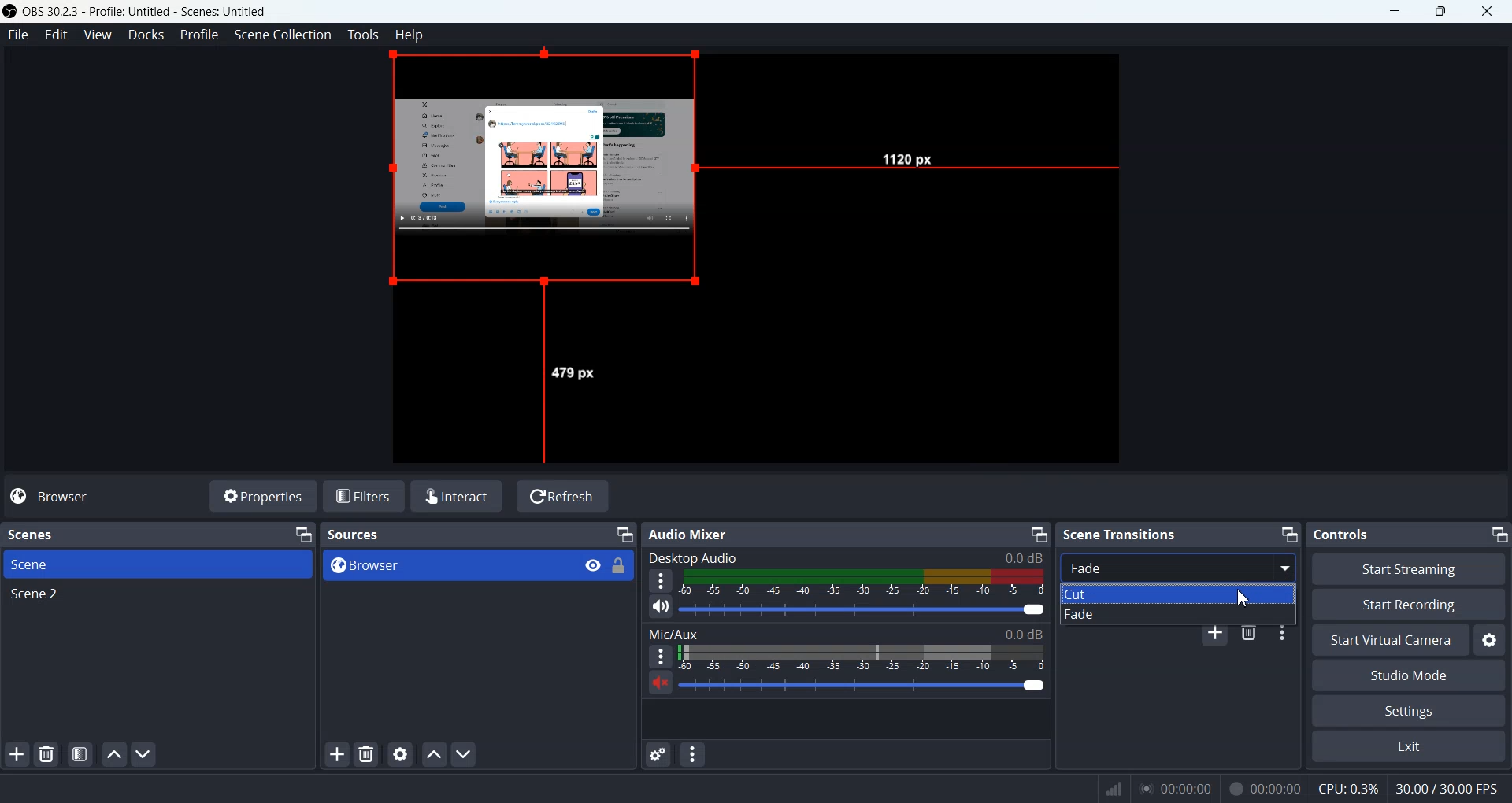 The width and height of the screenshot is (1512, 803). What do you see at coordinates (303, 534) in the screenshot?
I see `Minimize` at bounding box center [303, 534].